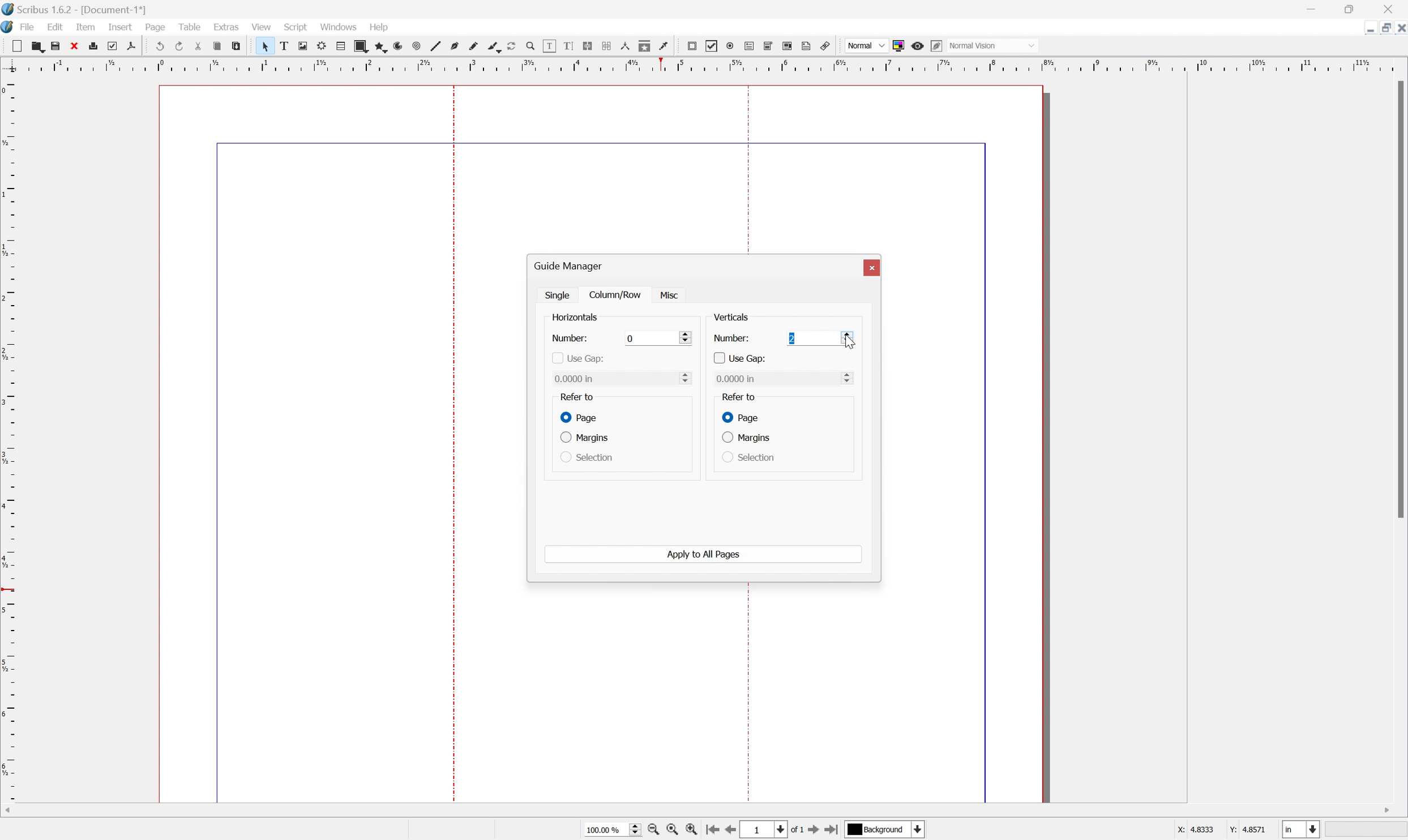 This screenshot has width=1408, height=840. I want to click on item, so click(84, 27).